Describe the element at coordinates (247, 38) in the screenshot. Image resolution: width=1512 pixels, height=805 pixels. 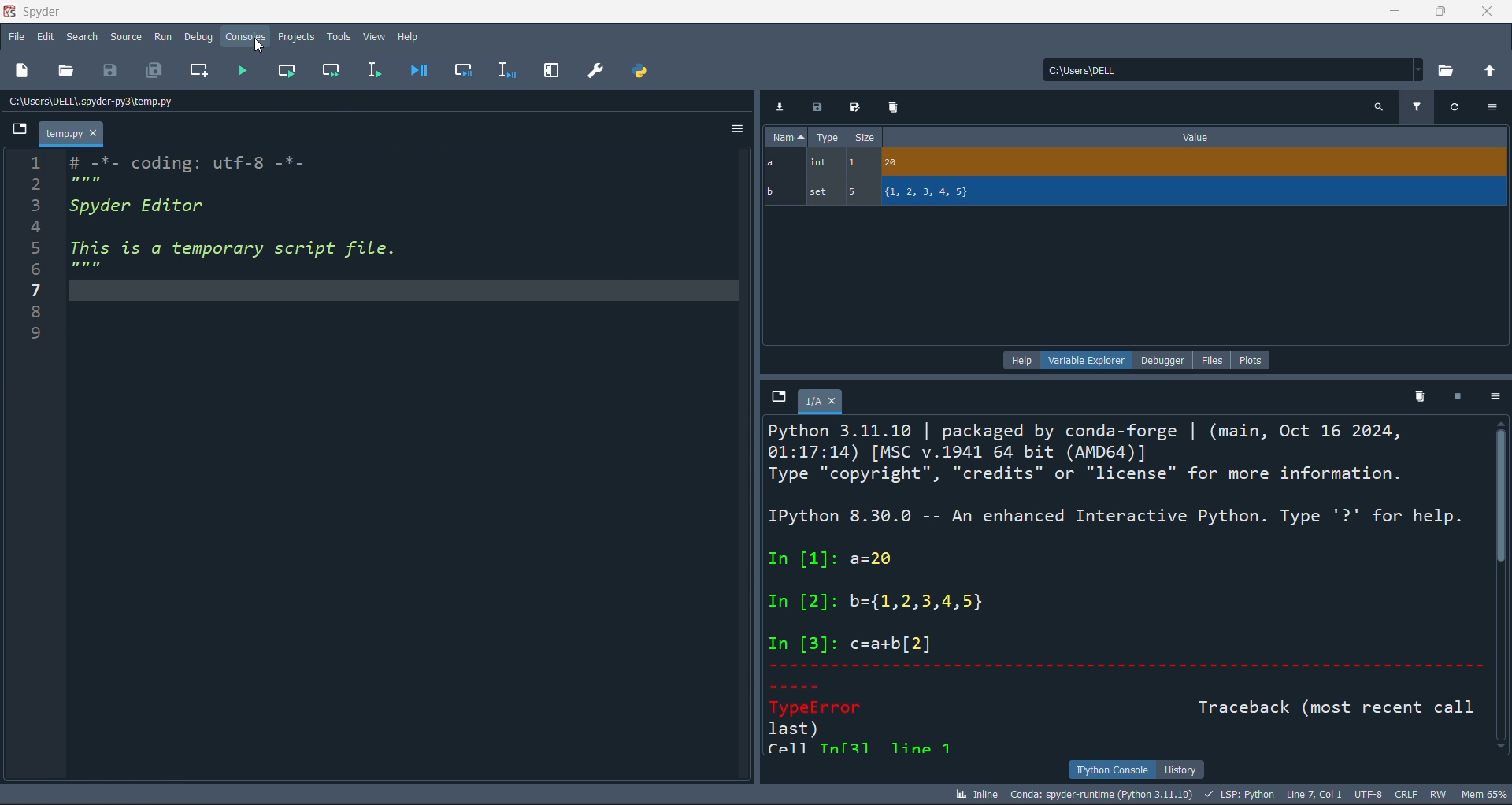
I see `Consoles` at that location.